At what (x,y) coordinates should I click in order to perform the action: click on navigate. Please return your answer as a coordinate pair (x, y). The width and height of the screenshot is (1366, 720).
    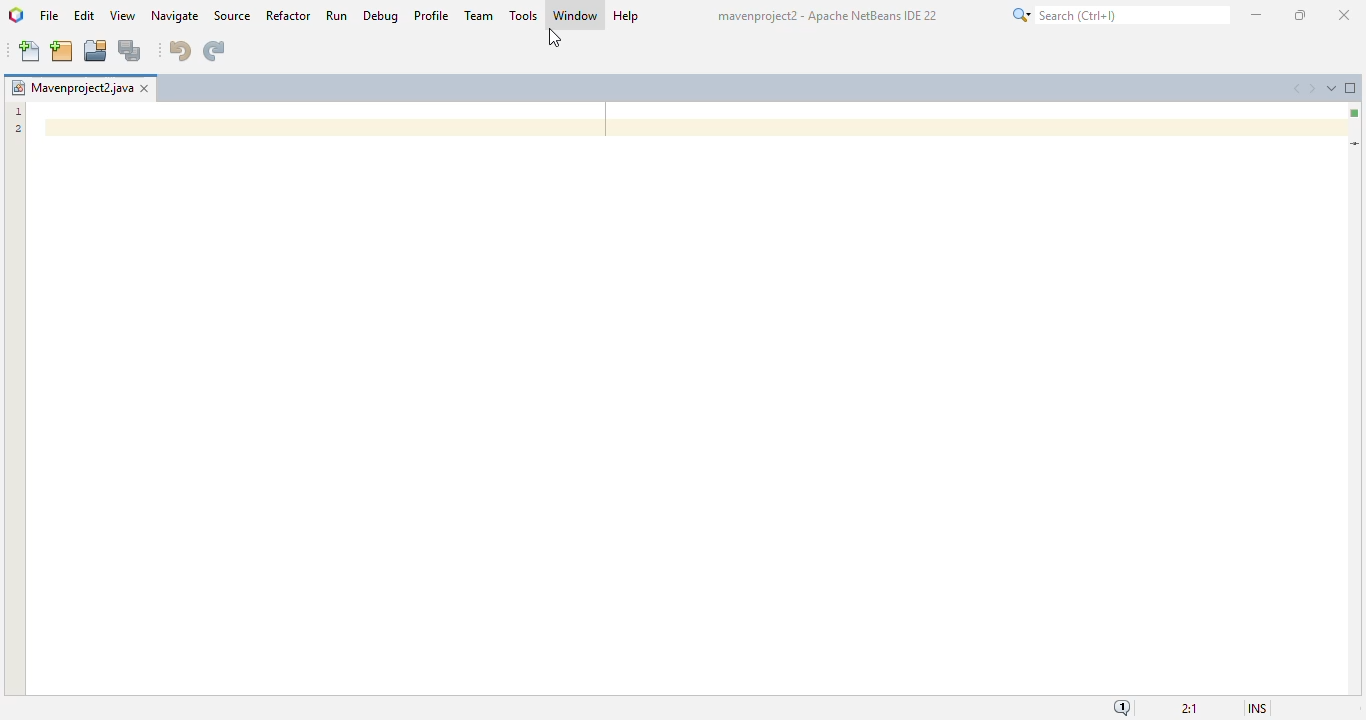
    Looking at the image, I should click on (175, 16).